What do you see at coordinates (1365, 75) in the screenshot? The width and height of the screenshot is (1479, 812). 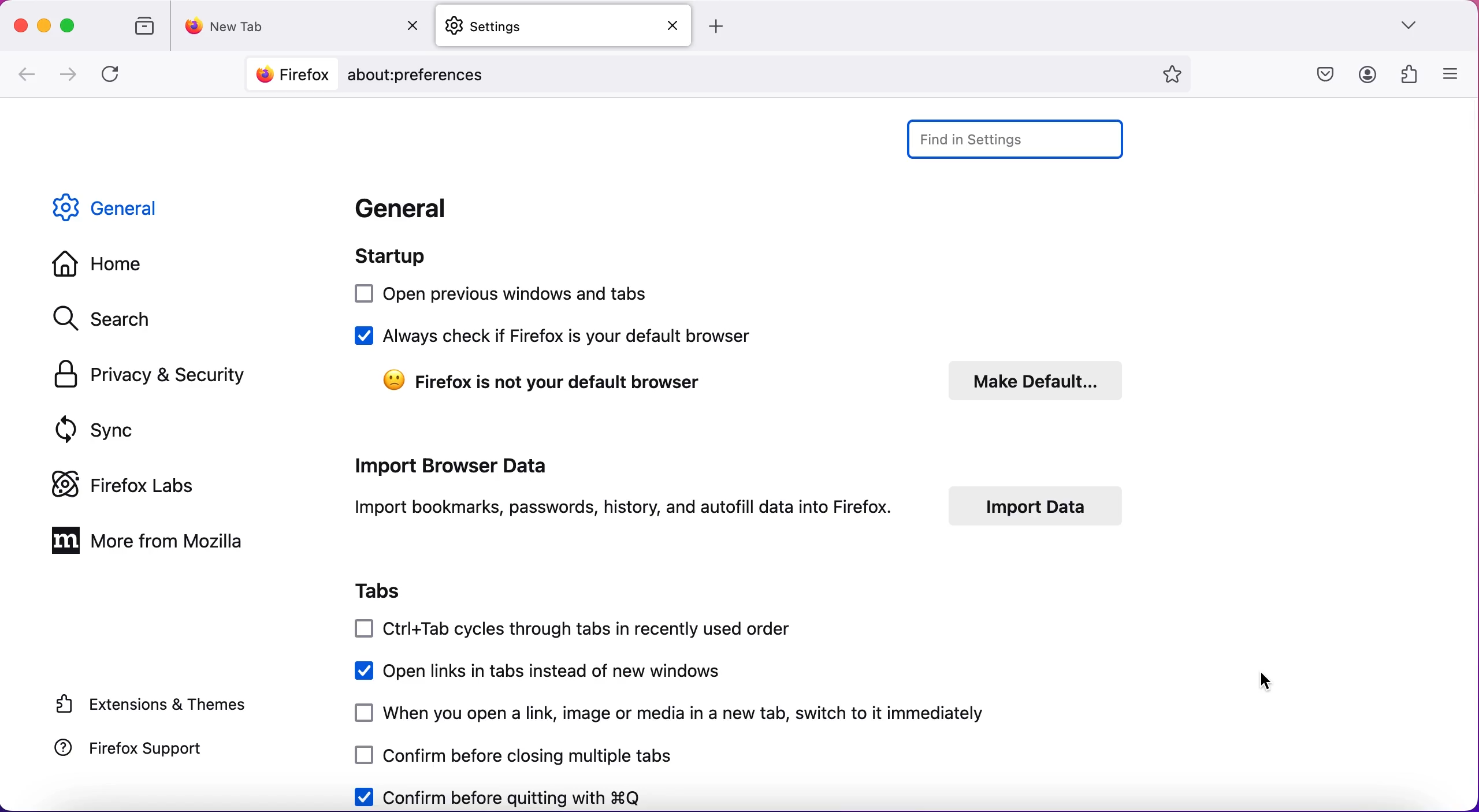 I see `account` at bounding box center [1365, 75].